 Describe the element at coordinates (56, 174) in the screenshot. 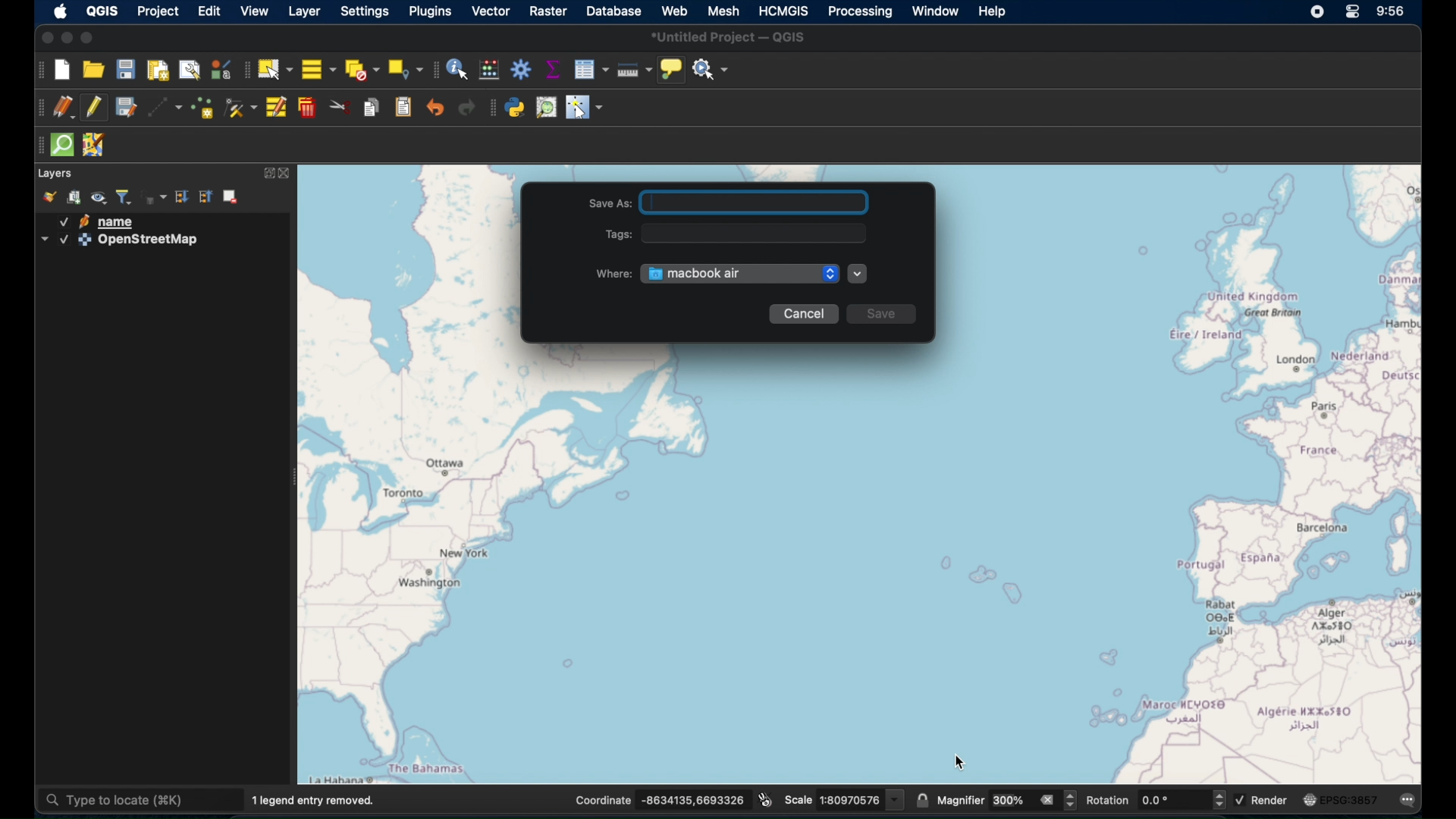

I see `layer` at that location.